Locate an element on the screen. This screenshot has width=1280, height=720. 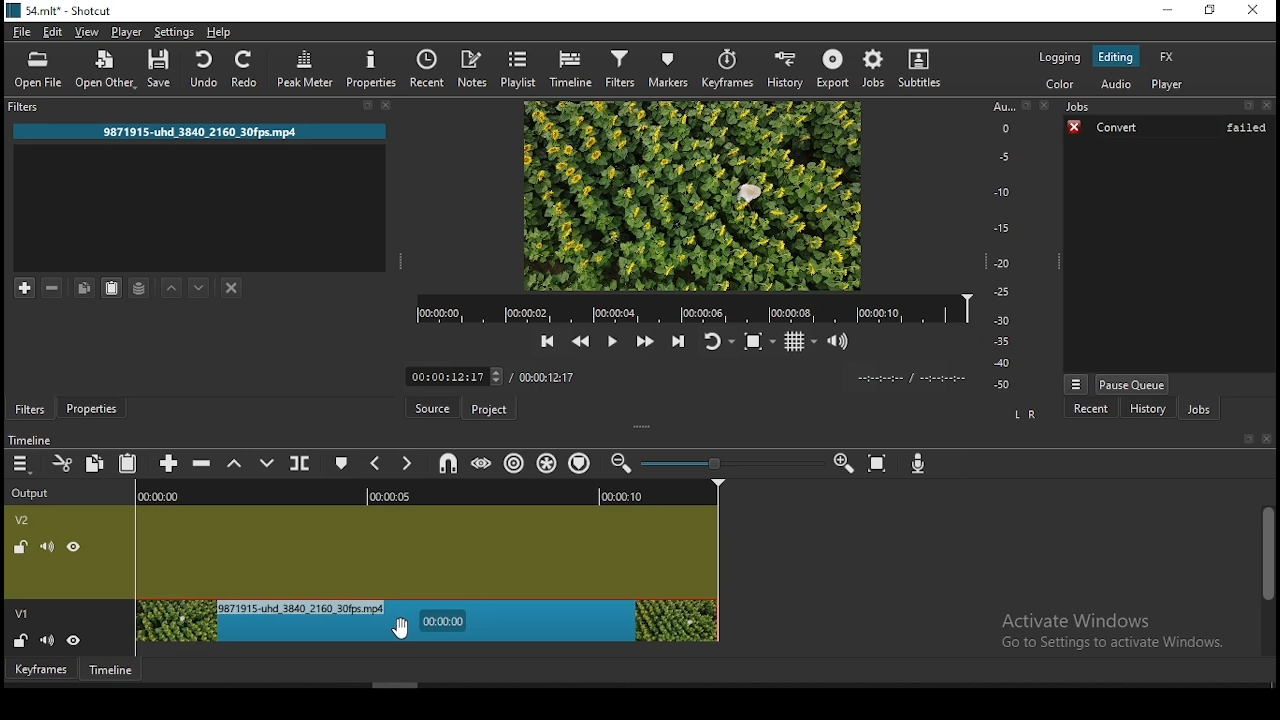
v2 is located at coordinates (26, 522).